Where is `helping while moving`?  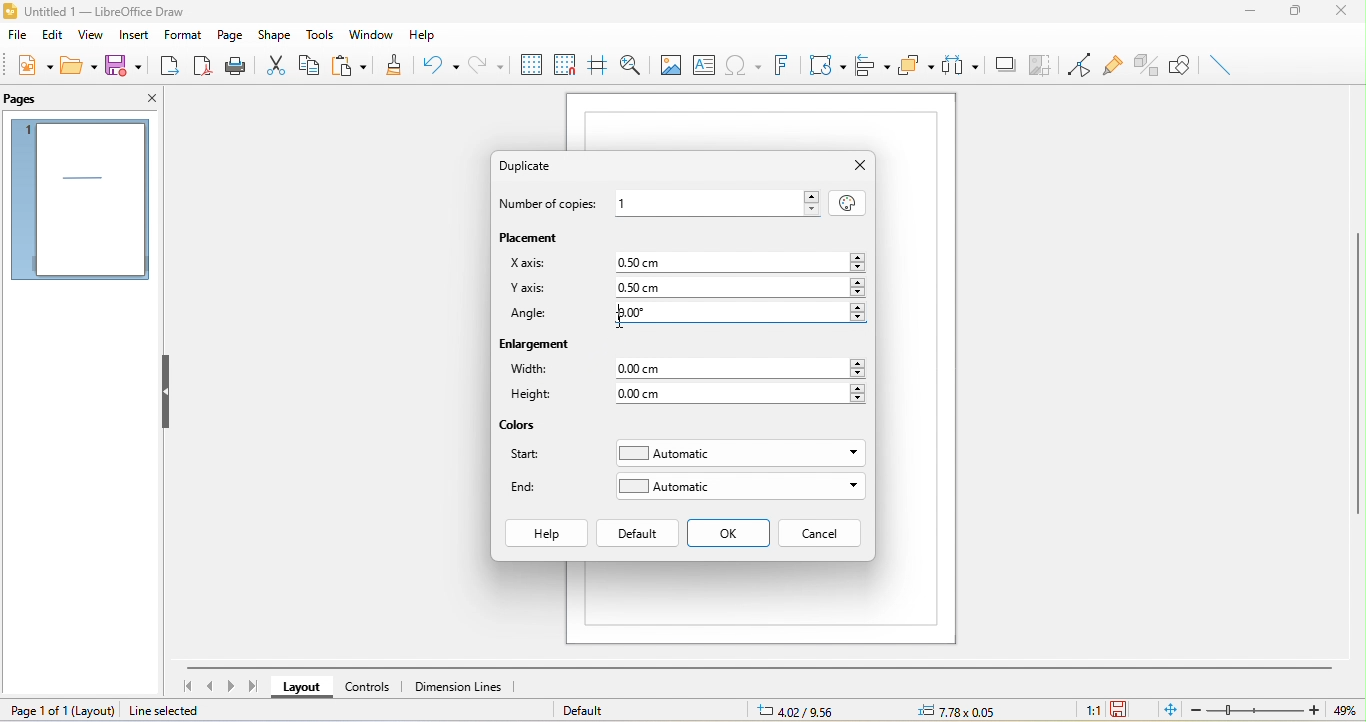 helping while moving is located at coordinates (596, 61).